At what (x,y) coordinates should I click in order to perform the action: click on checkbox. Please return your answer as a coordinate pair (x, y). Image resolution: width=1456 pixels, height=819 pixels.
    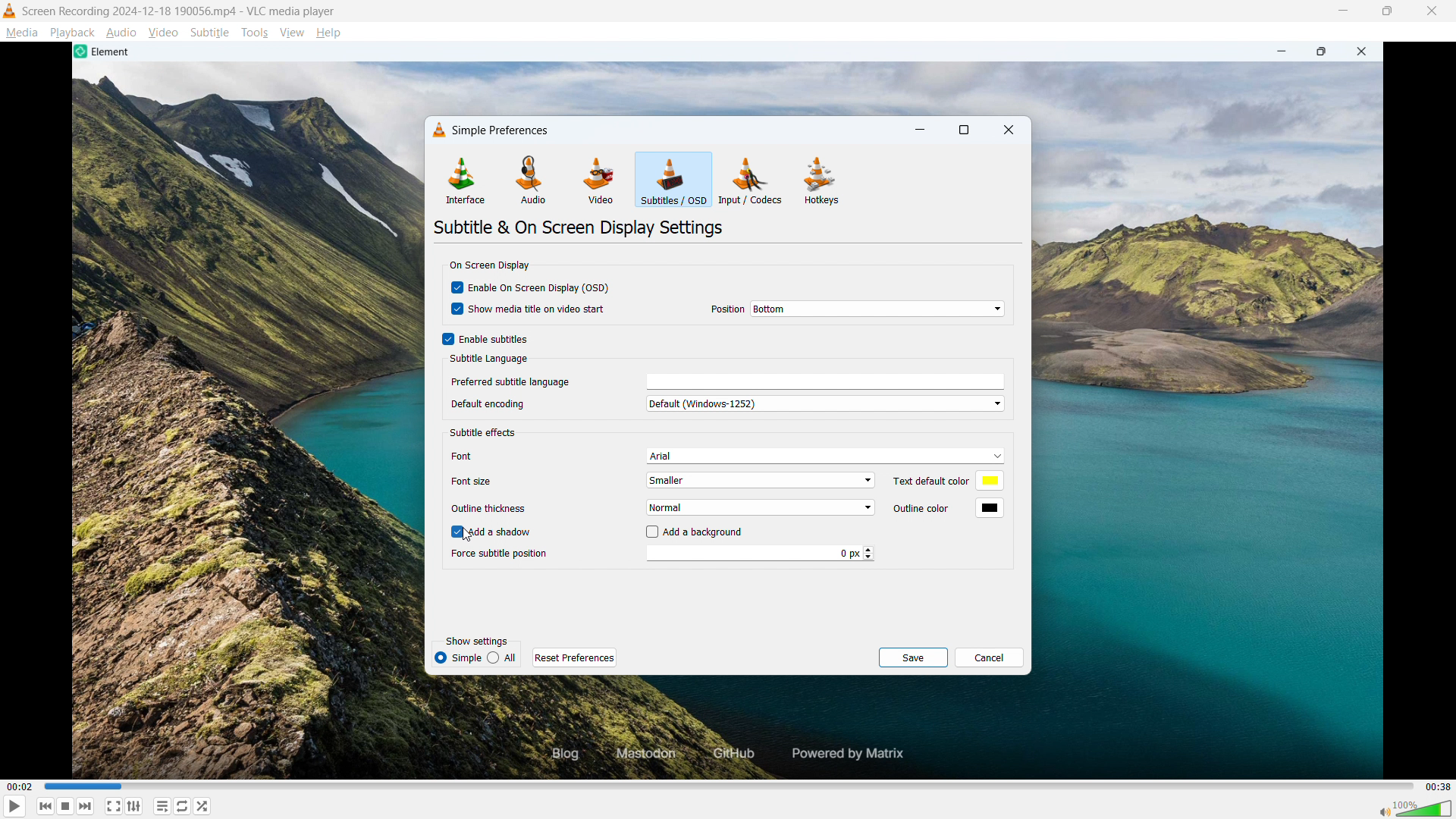
    Looking at the image, I should click on (445, 338).